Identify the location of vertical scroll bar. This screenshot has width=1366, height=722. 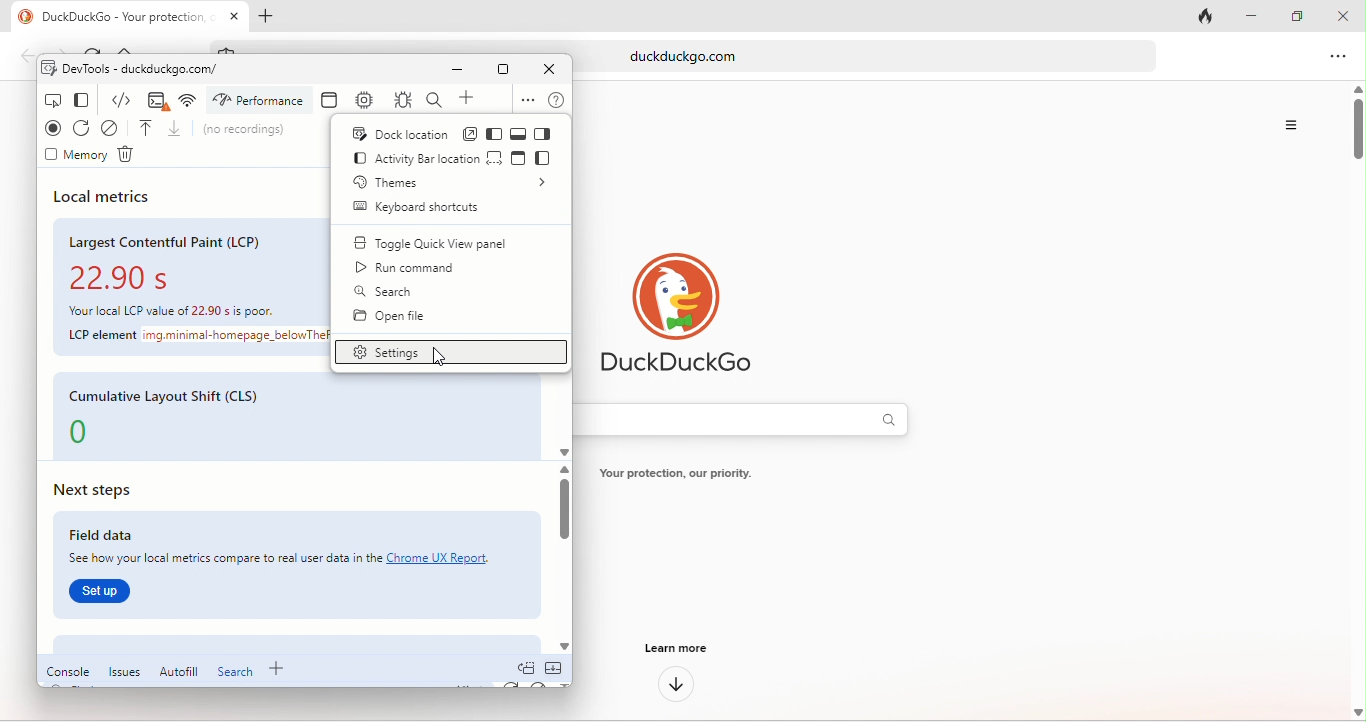
(566, 512).